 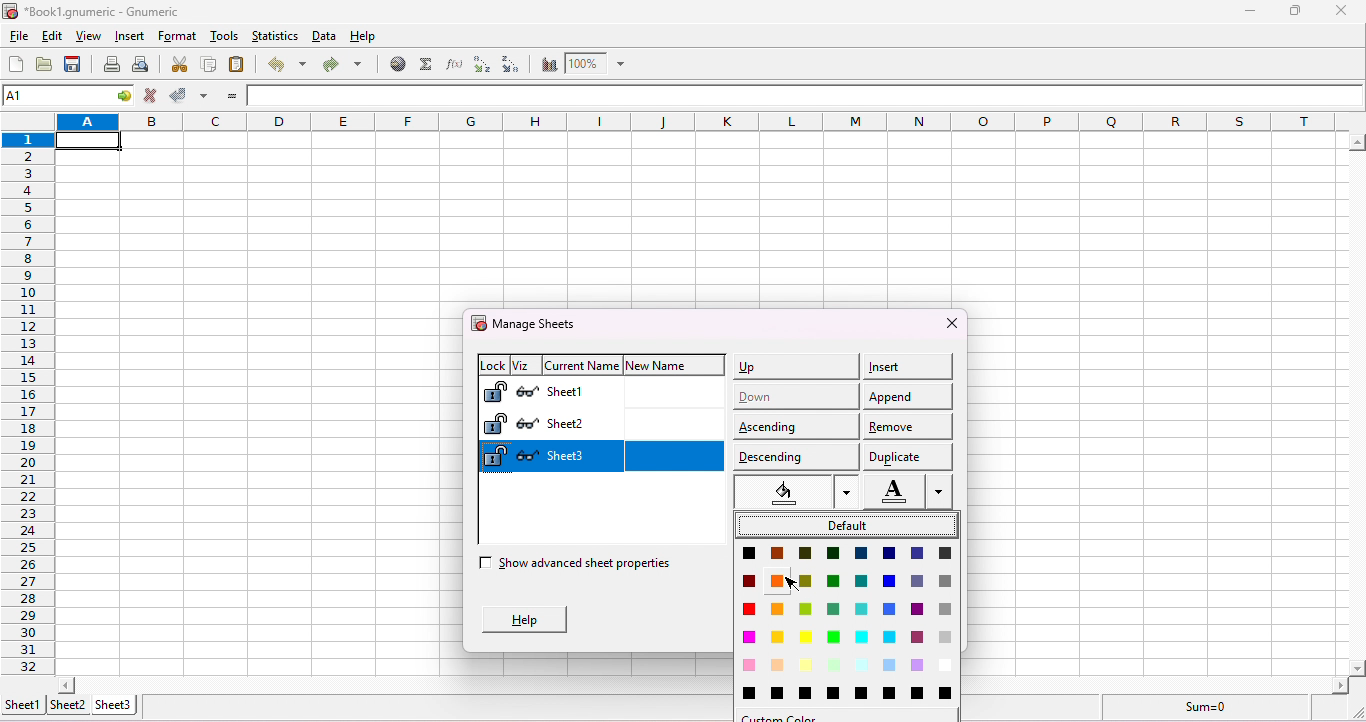 What do you see at coordinates (1221, 710) in the screenshot?
I see `sum =0` at bounding box center [1221, 710].